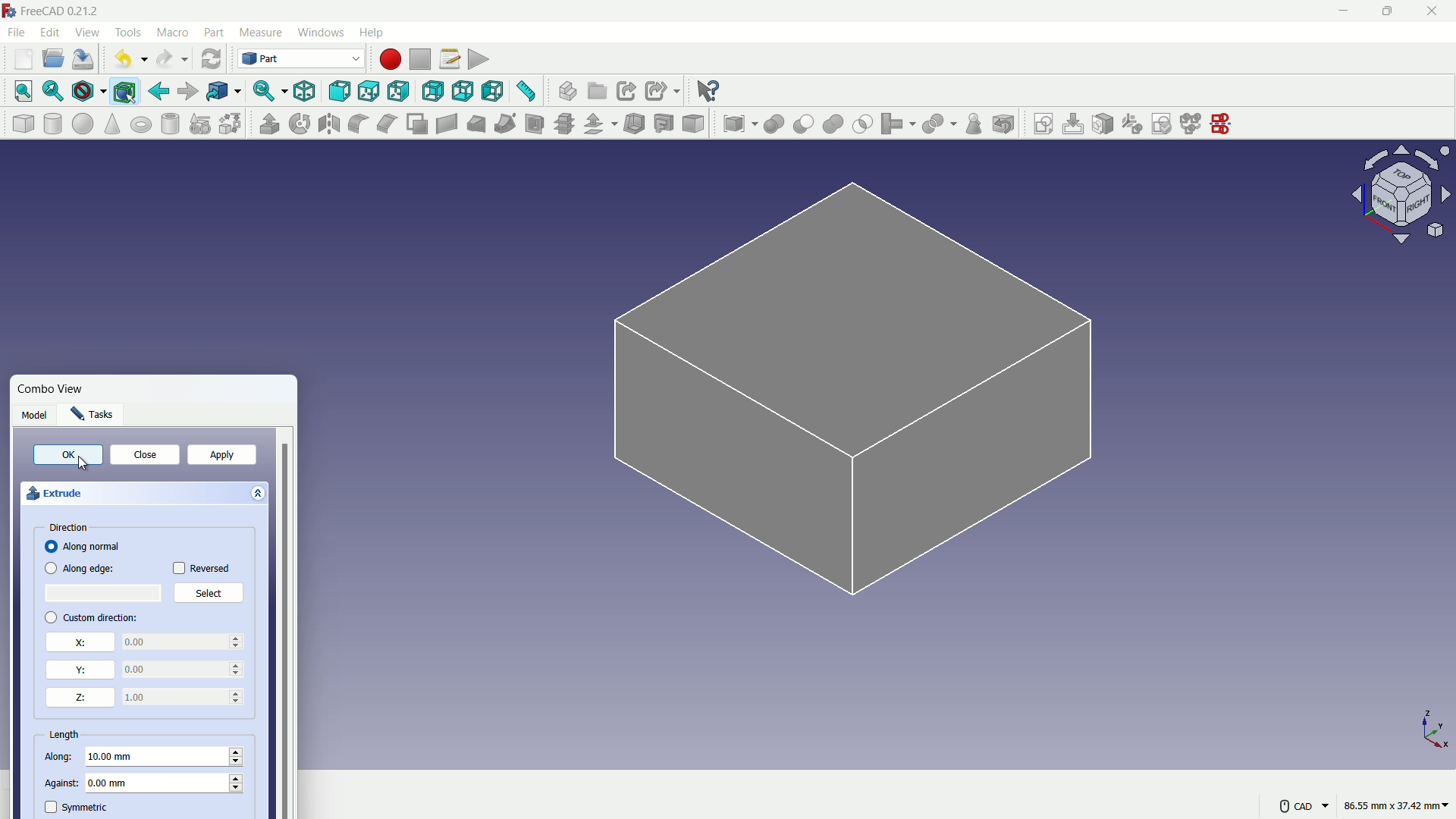 The width and height of the screenshot is (1456, 819). What do you see at coordinates (34, 413) in the screenshot?
I see `Model` at bounding box center [34, 413].